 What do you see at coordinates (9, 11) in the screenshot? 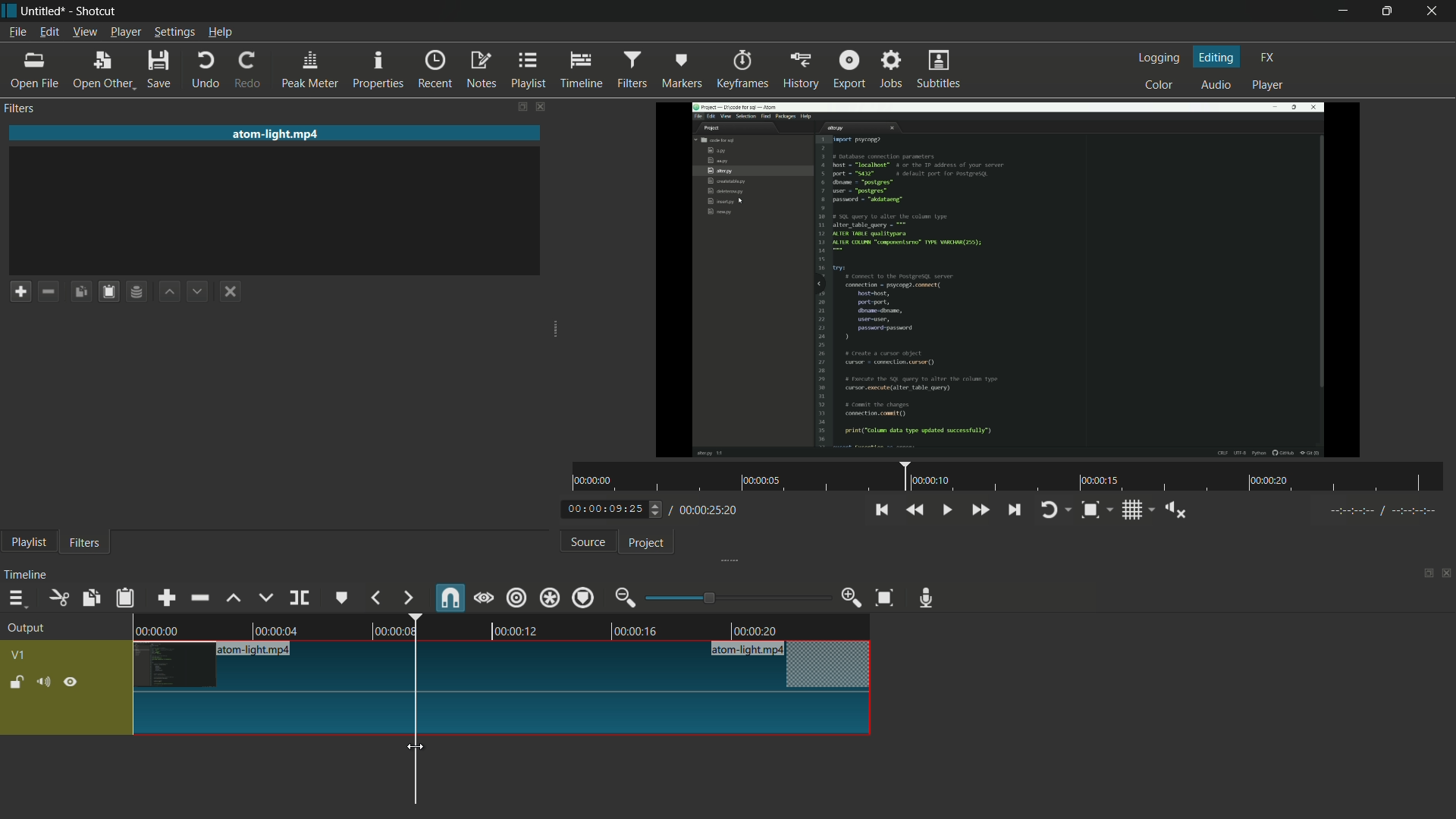
I see `app icon` at bounding box center [9, 11].